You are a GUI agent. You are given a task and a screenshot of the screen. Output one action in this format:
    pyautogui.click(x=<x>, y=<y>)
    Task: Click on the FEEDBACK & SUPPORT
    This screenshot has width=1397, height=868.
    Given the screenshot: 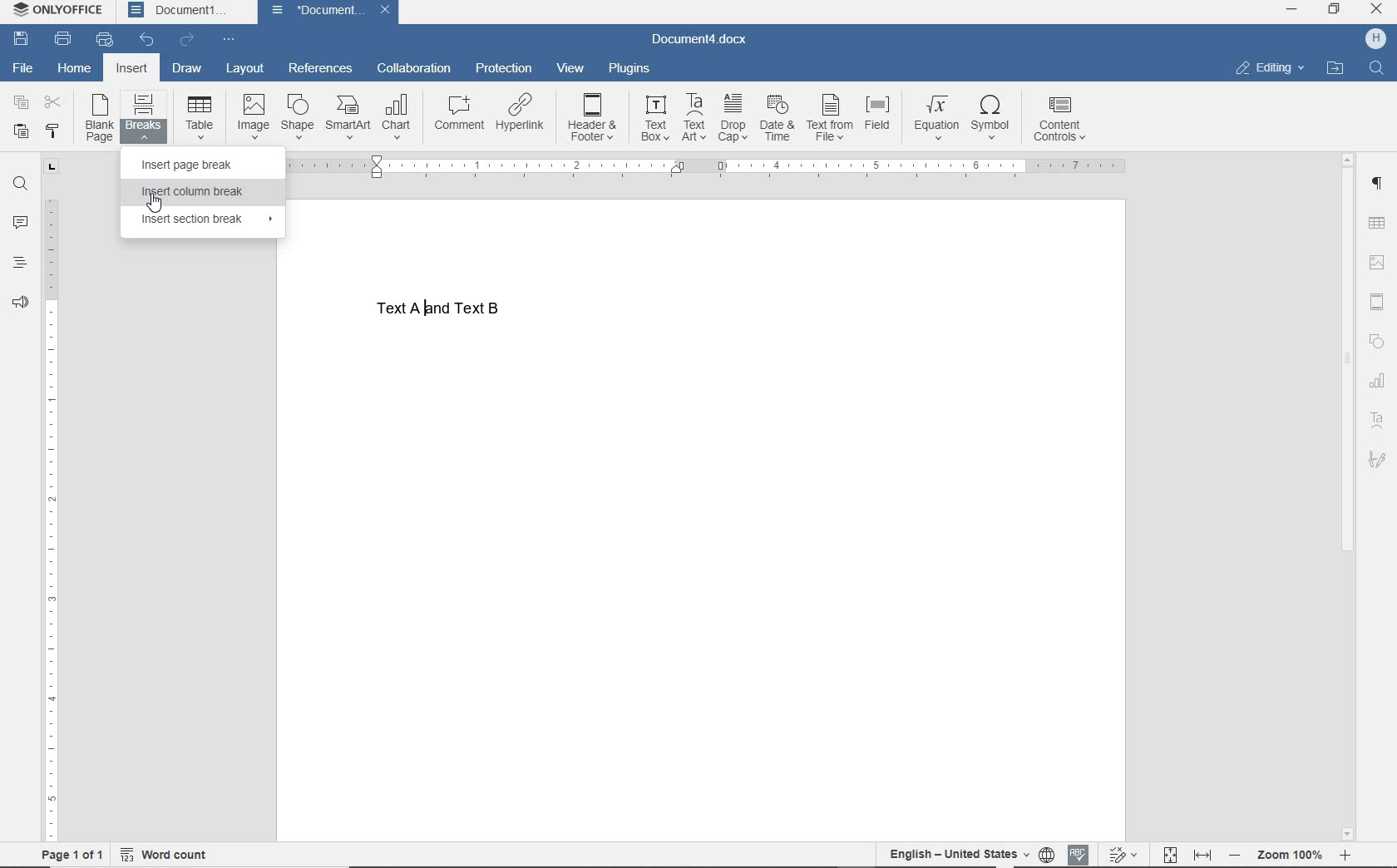 What is the action you would take?
    pyautogui.click(x=19, y=301)
    